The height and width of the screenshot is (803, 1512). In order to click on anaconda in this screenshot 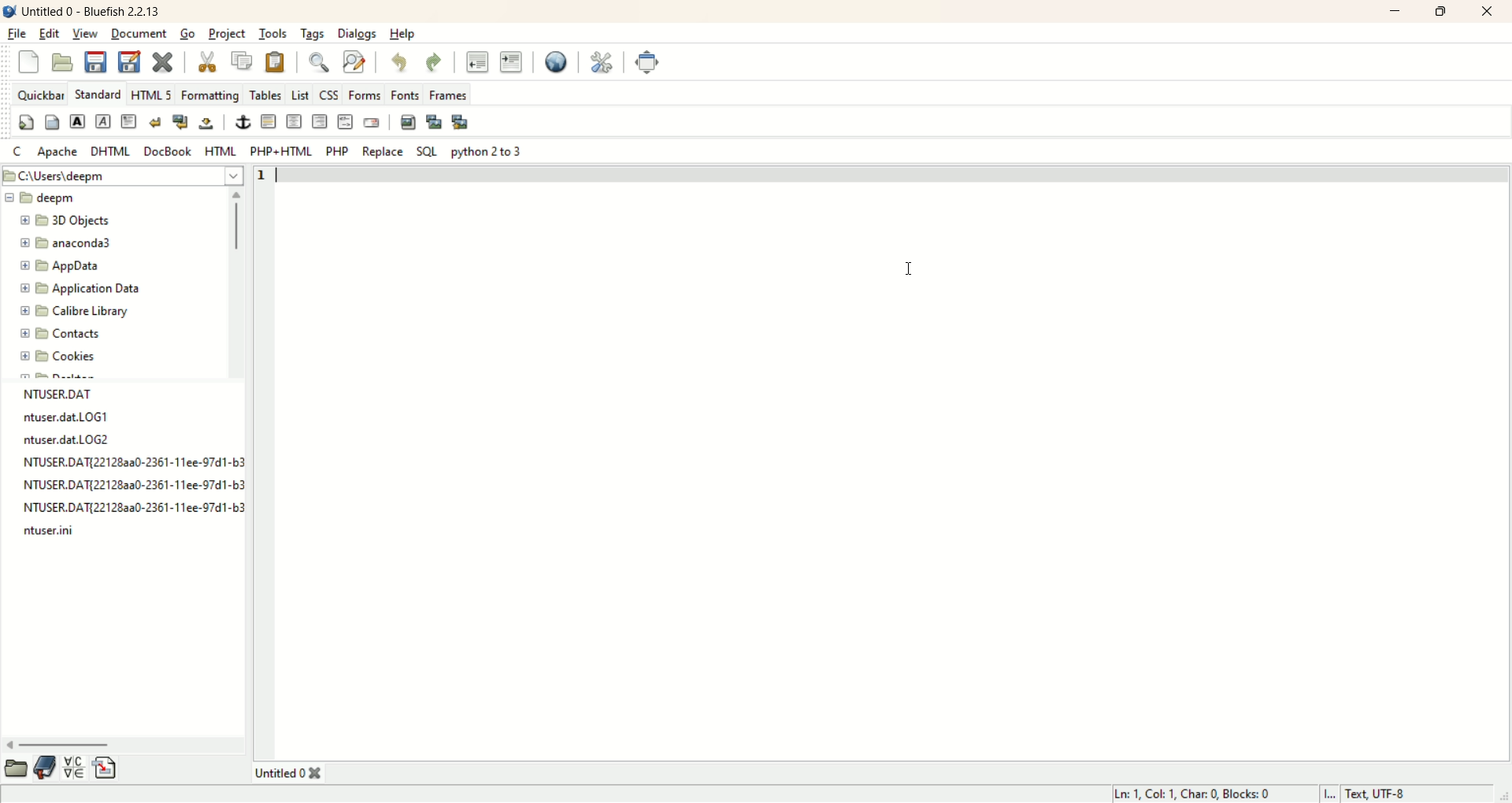, I will do `click(75, 242)`.